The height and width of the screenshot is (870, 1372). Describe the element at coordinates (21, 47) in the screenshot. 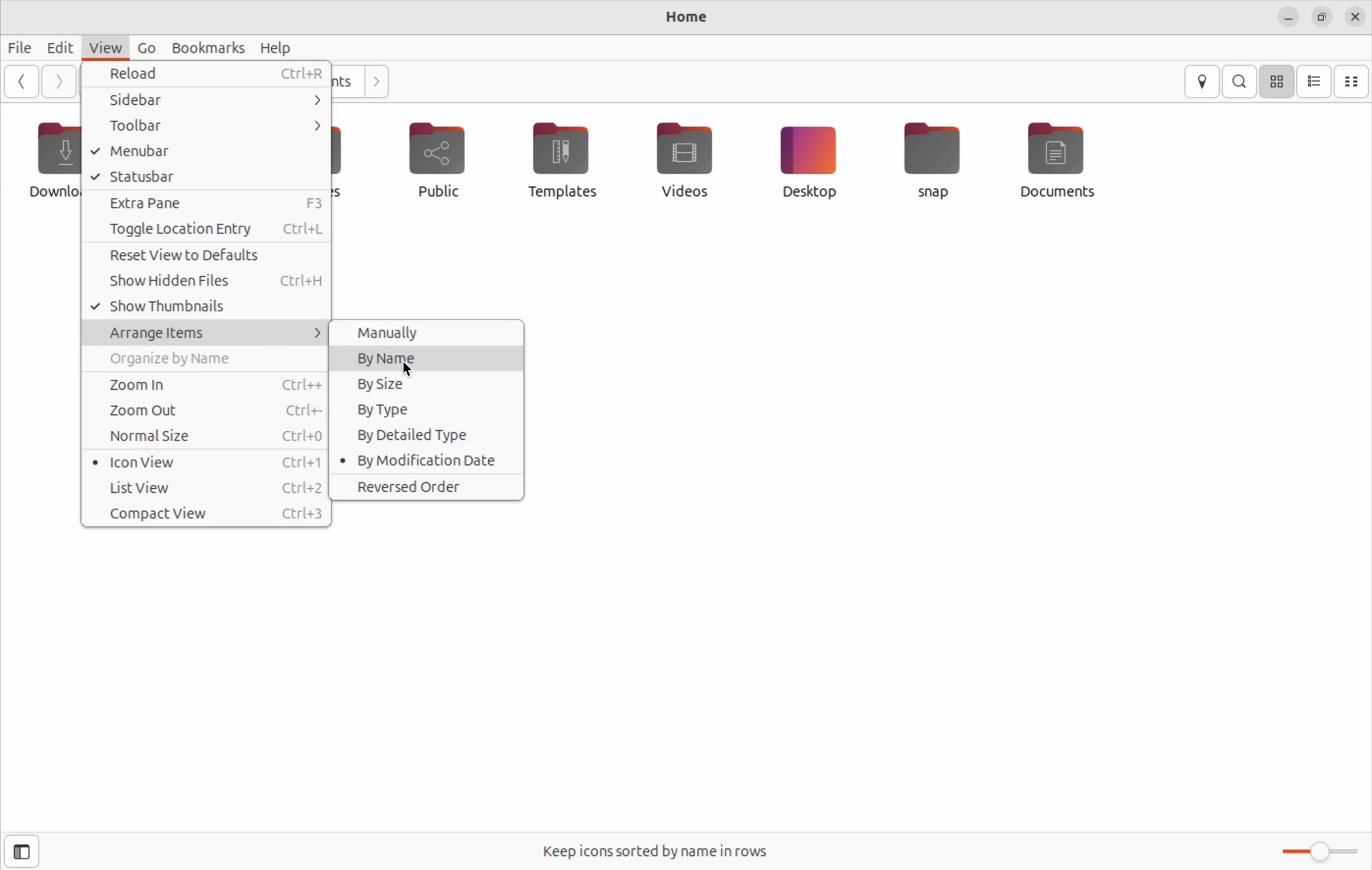

I see `file` at that location.